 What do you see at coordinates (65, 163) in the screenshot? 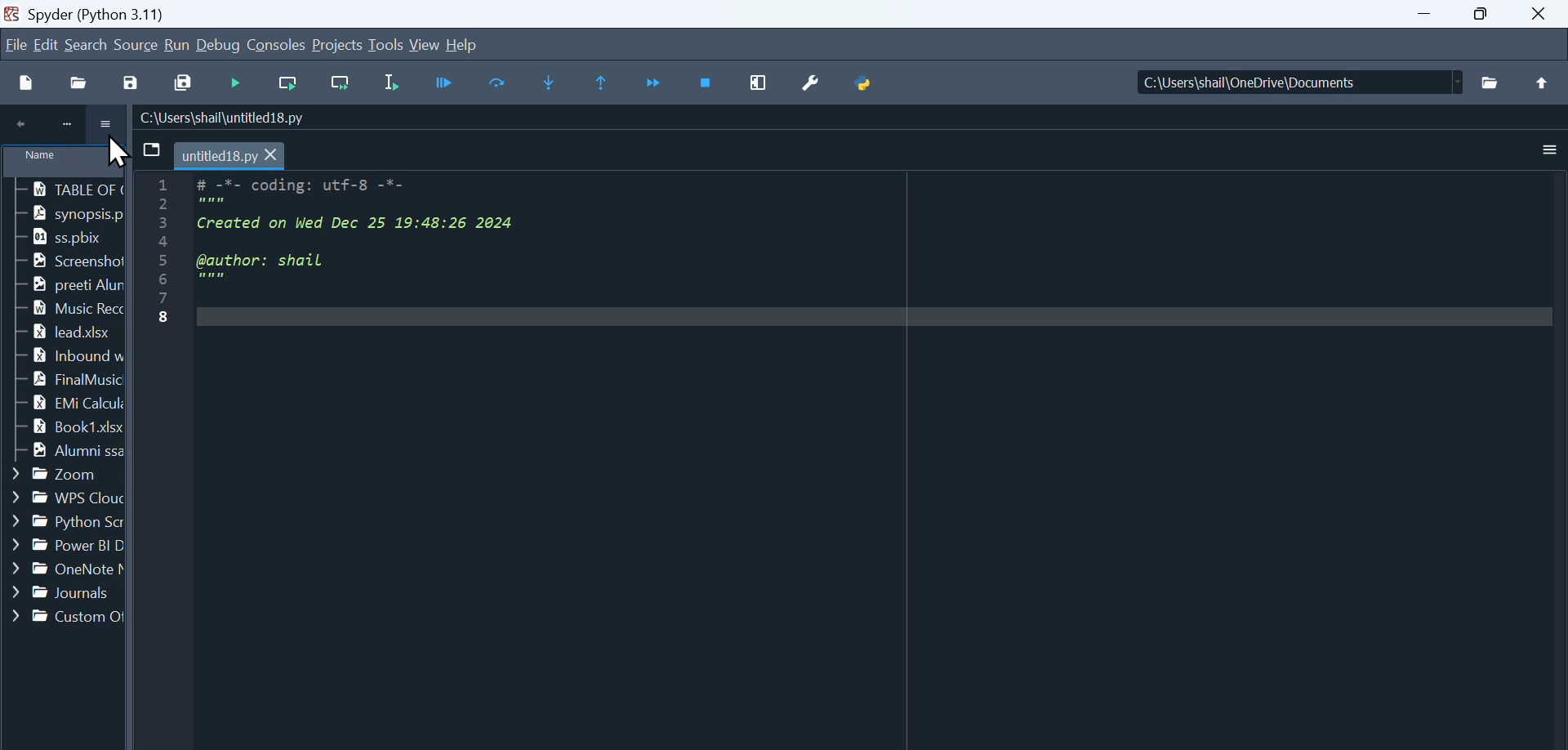
I see `name` at bounding box center [65, 163].